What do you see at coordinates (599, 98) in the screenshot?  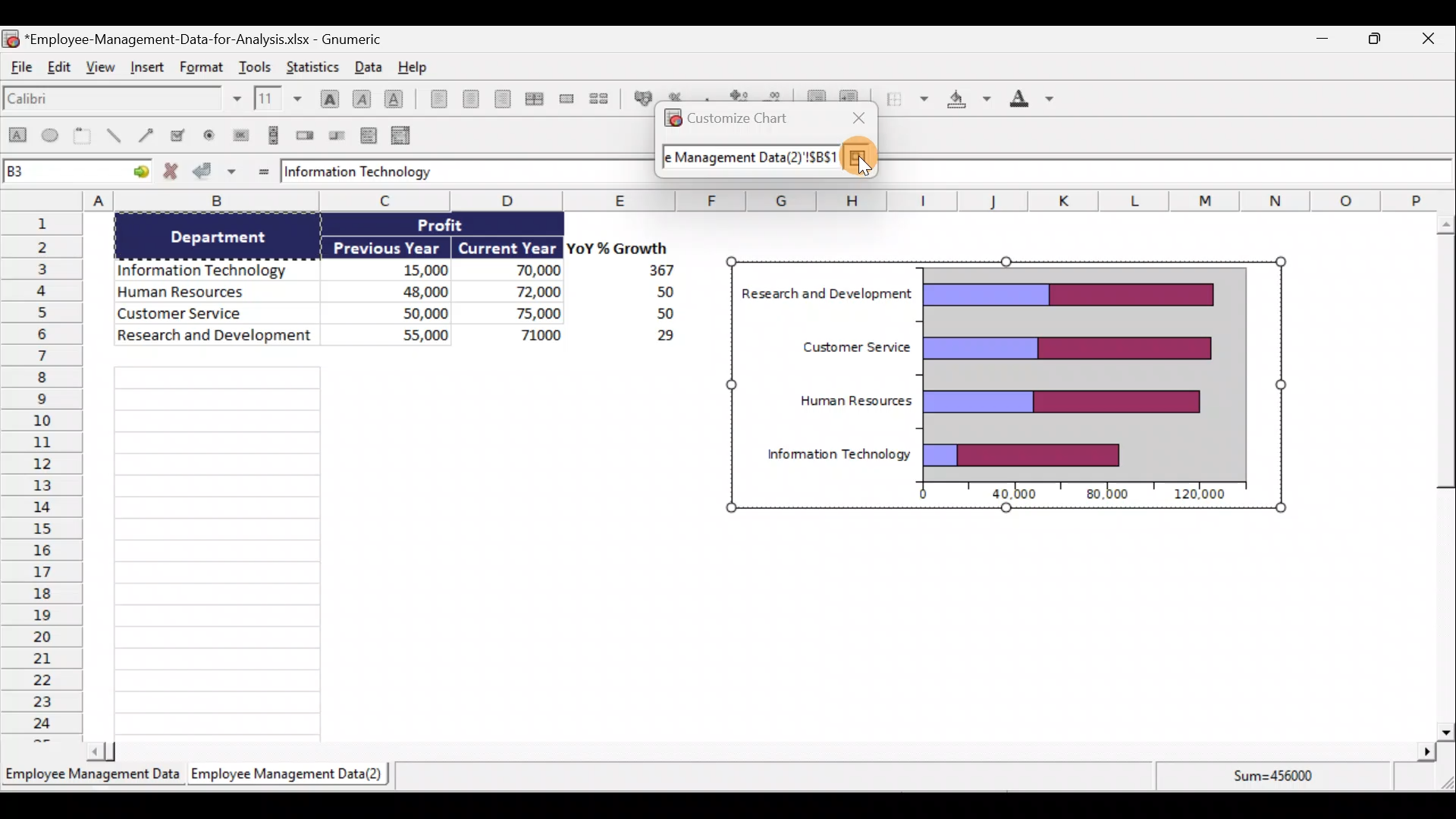 I see `Split merged range of cells` at bounding box center [599, 98].